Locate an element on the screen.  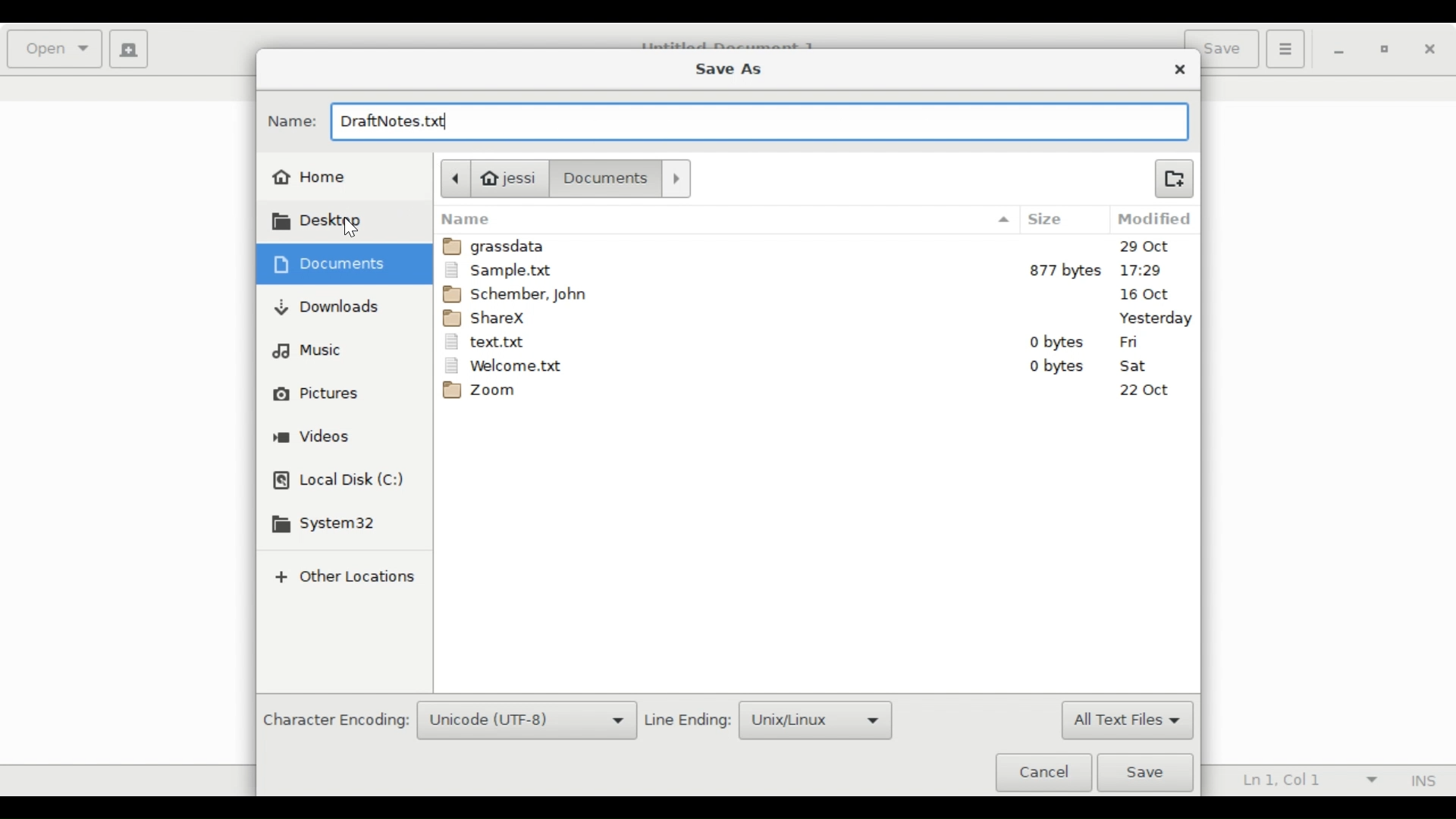
Welcome.txt 0 bytes Sat is located at coordinates (815, 366).